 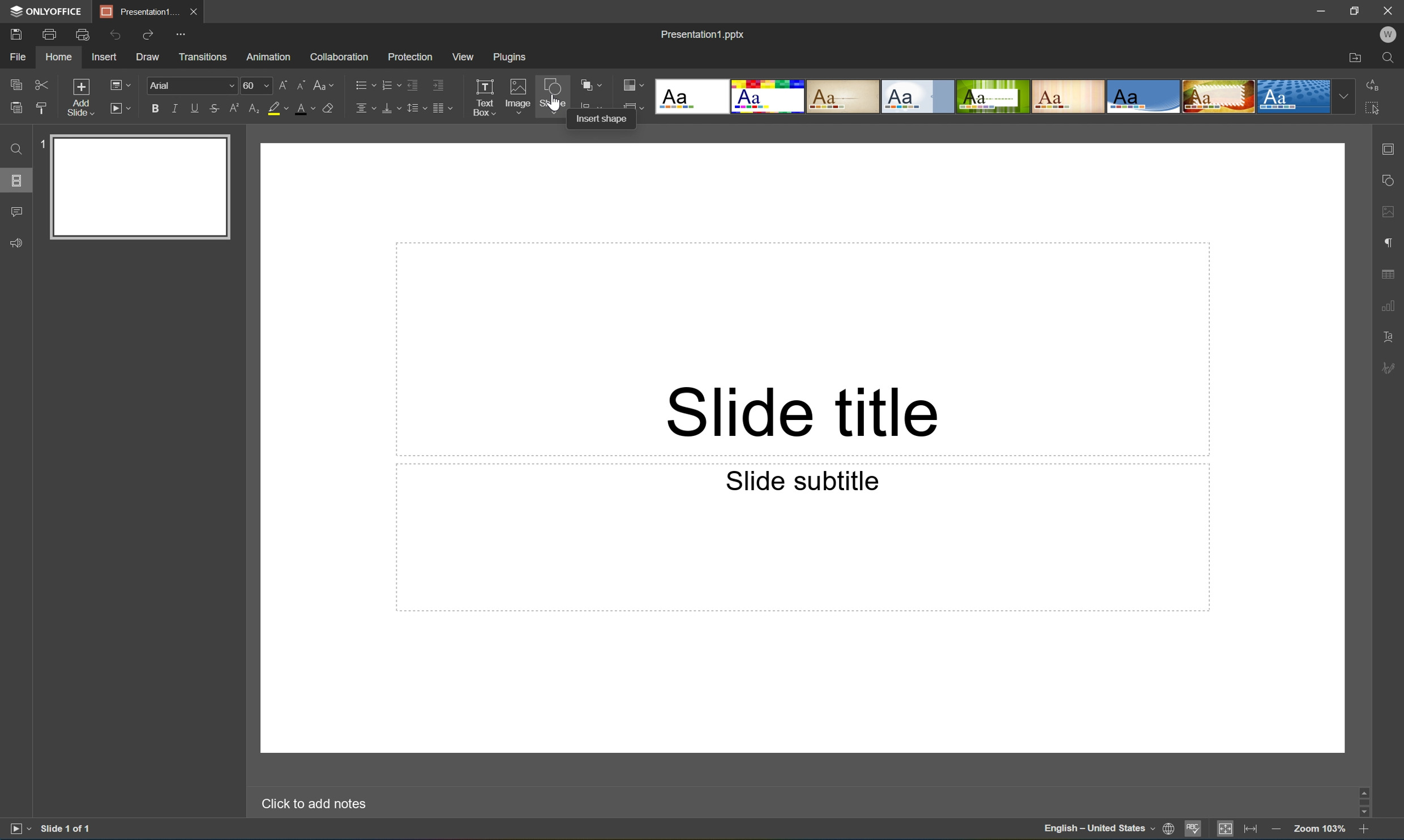 What do you see at coordinates (17, 212) in the screenshot?
I see `Comments` at bounding box center [17, 212].